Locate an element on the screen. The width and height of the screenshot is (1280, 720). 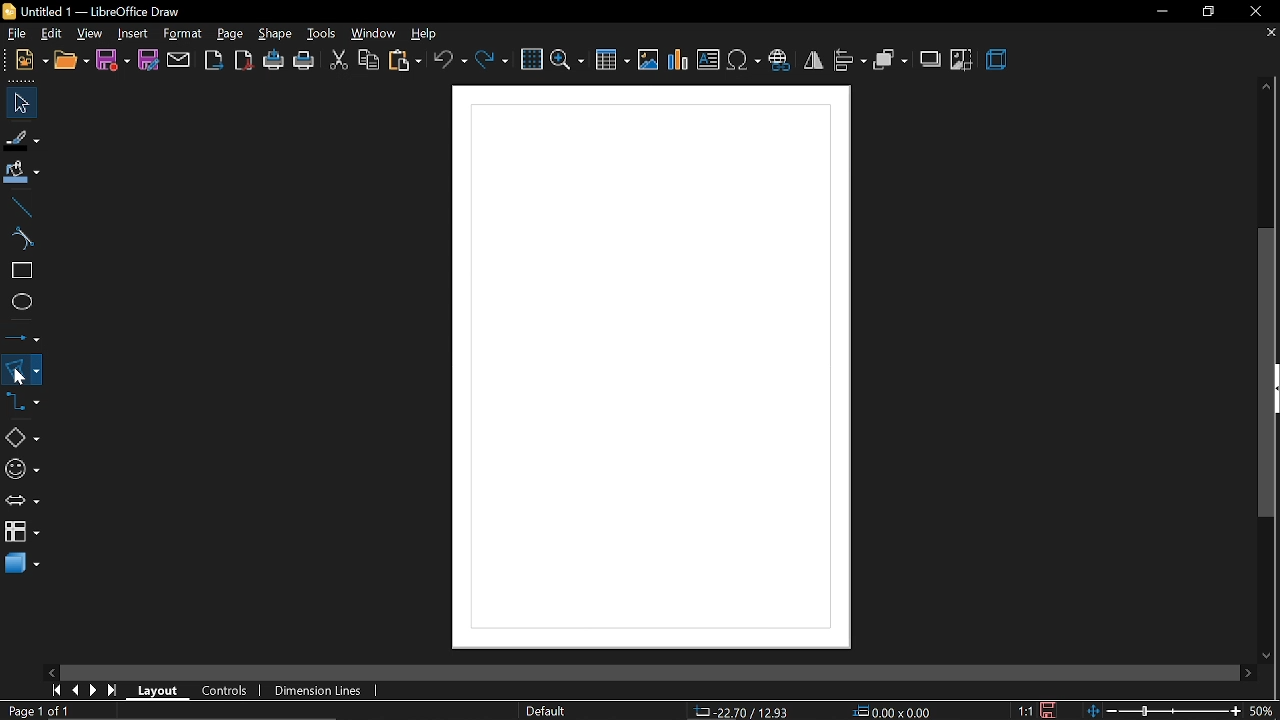
insert image is located at coordinates (709, 61).